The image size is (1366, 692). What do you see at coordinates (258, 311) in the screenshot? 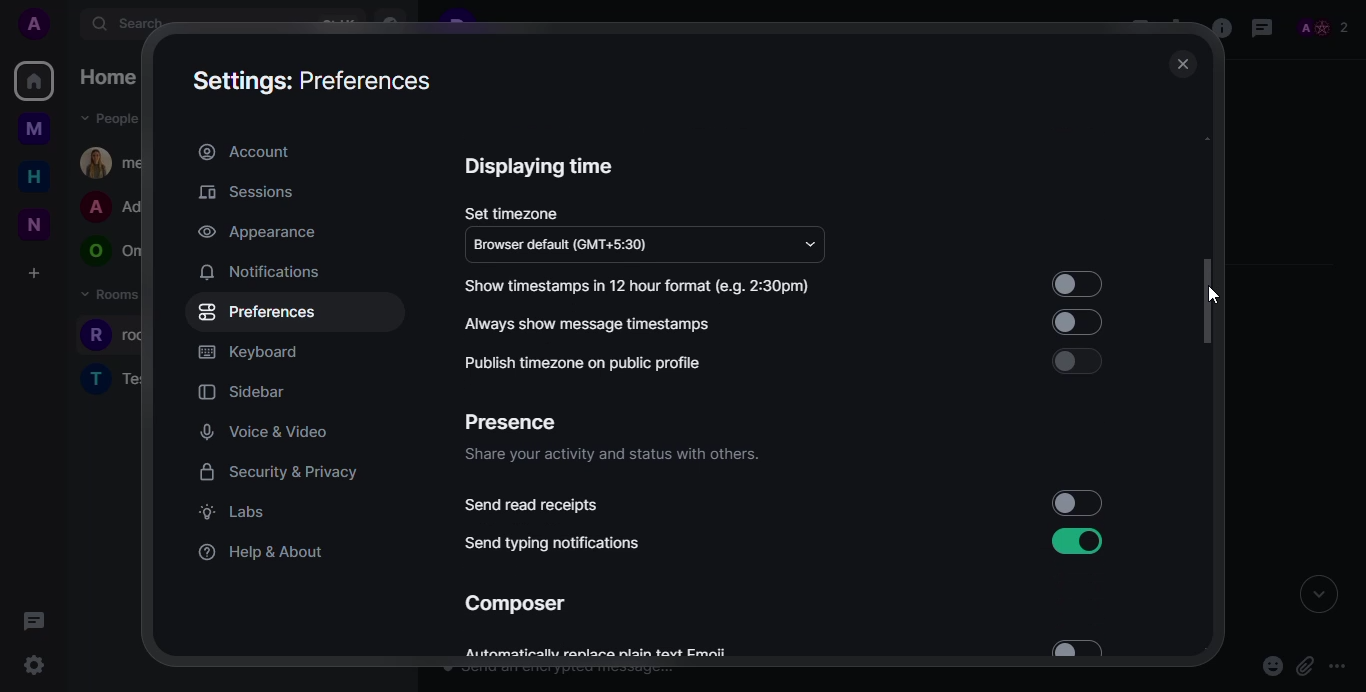
I see `preferences` at bounding box center [258, 311].